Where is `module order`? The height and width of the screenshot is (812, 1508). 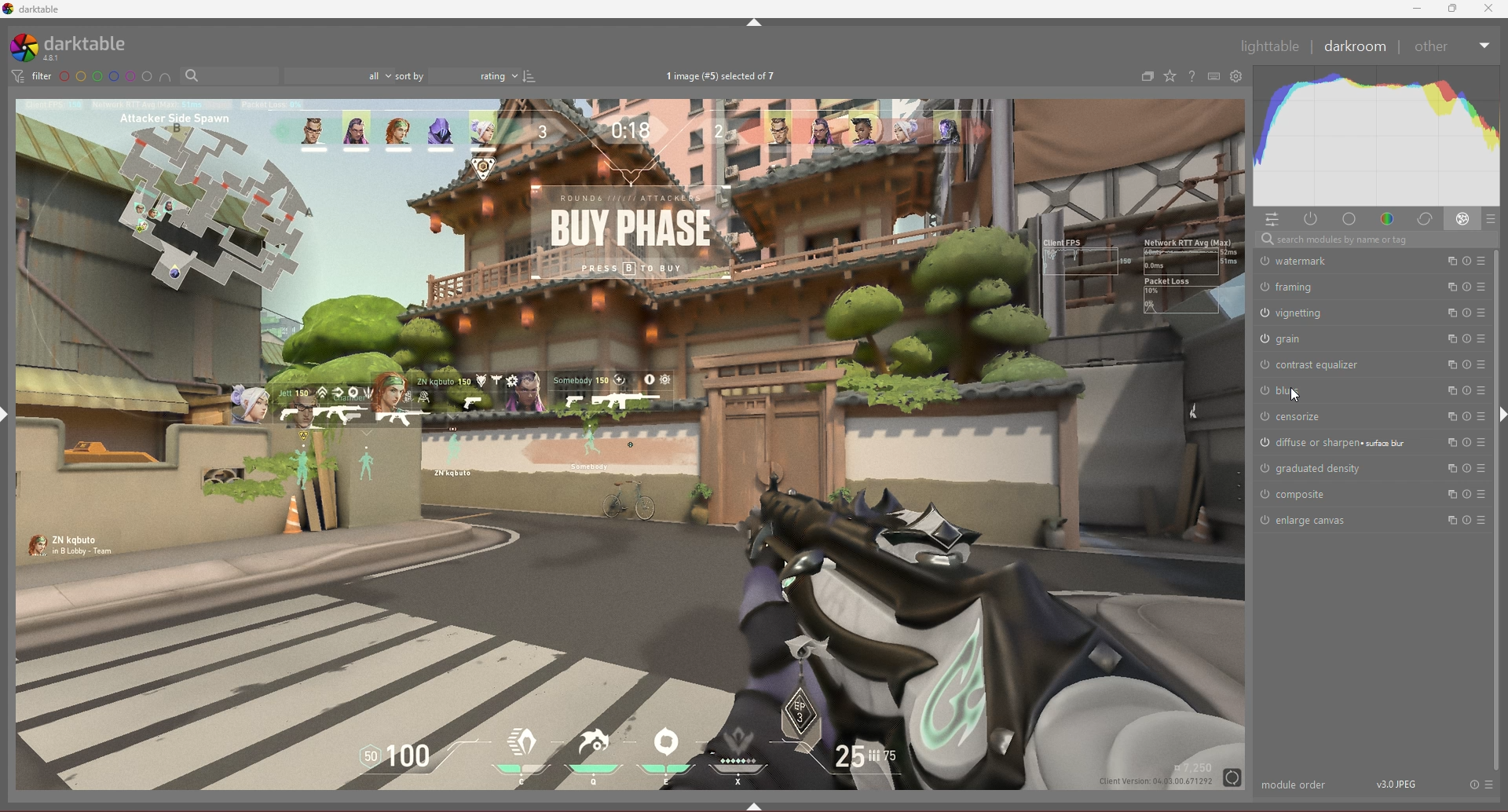
module order is located at coordinates (1296, 785).